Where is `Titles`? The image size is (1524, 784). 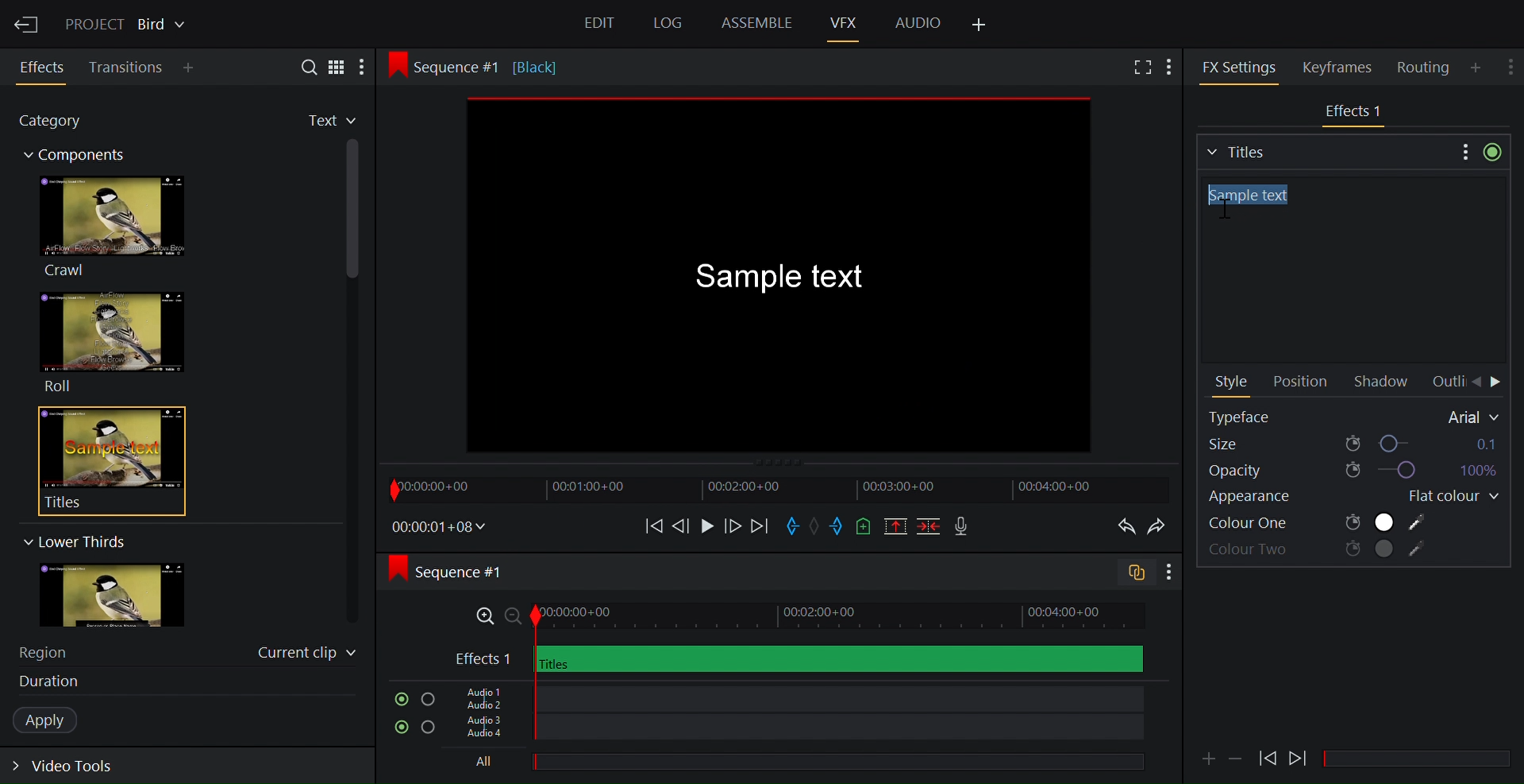 Titles is located at coordinates (1325, 150).